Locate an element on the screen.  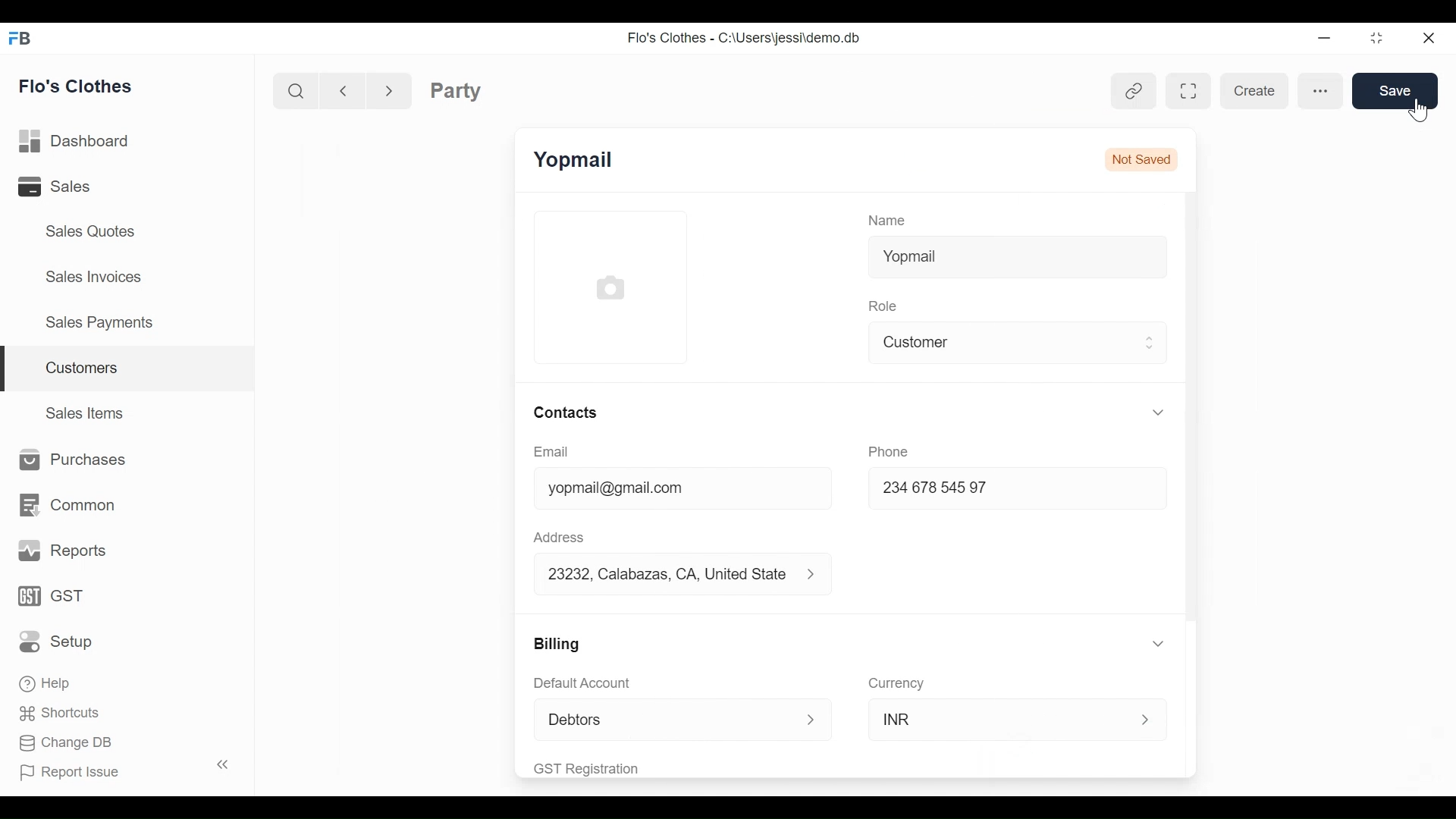
23232, Calabazas, CA, United State is located at coordinates (670, 575).